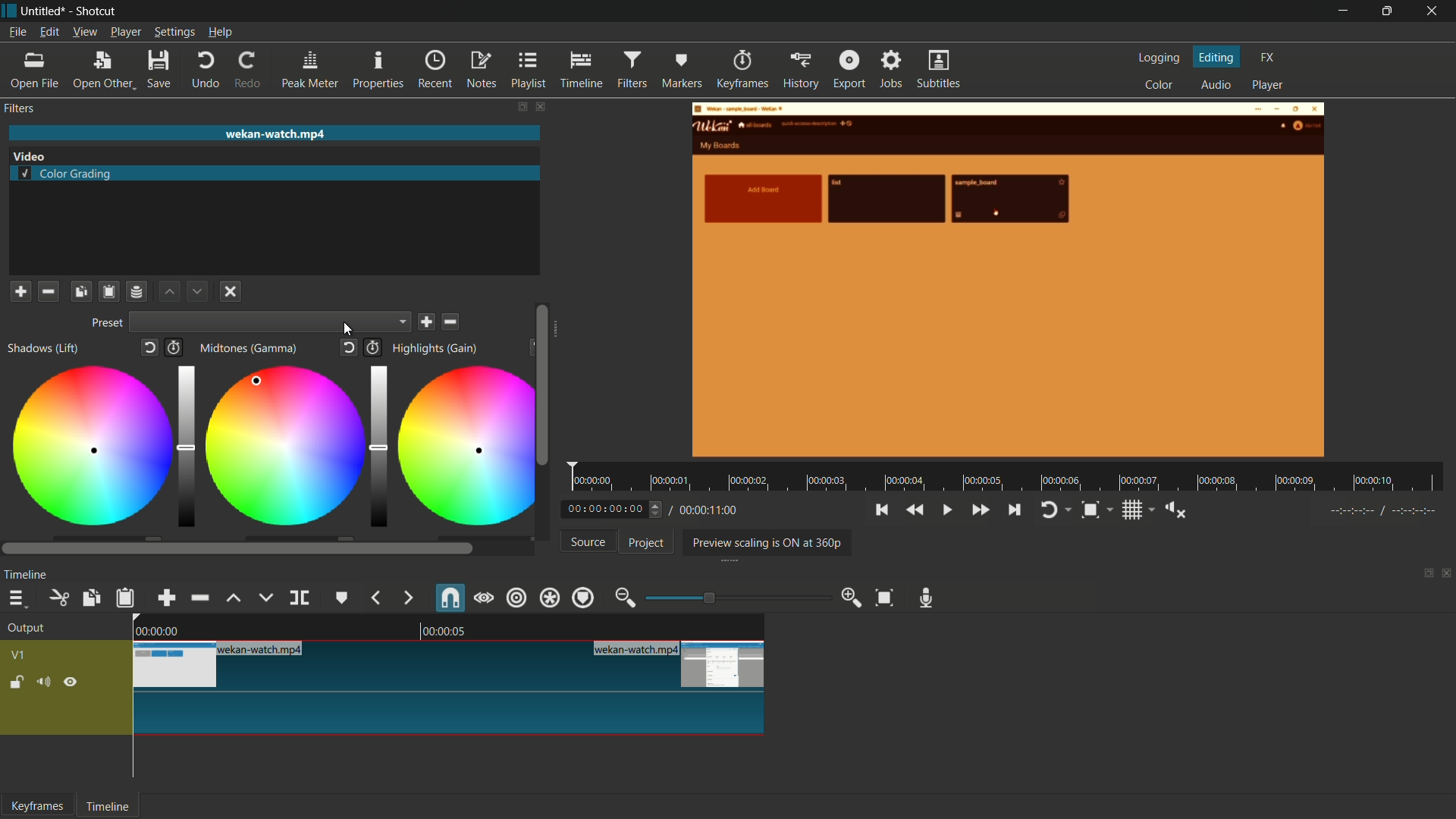  I want to click on color adjustment, so click(283, 444).